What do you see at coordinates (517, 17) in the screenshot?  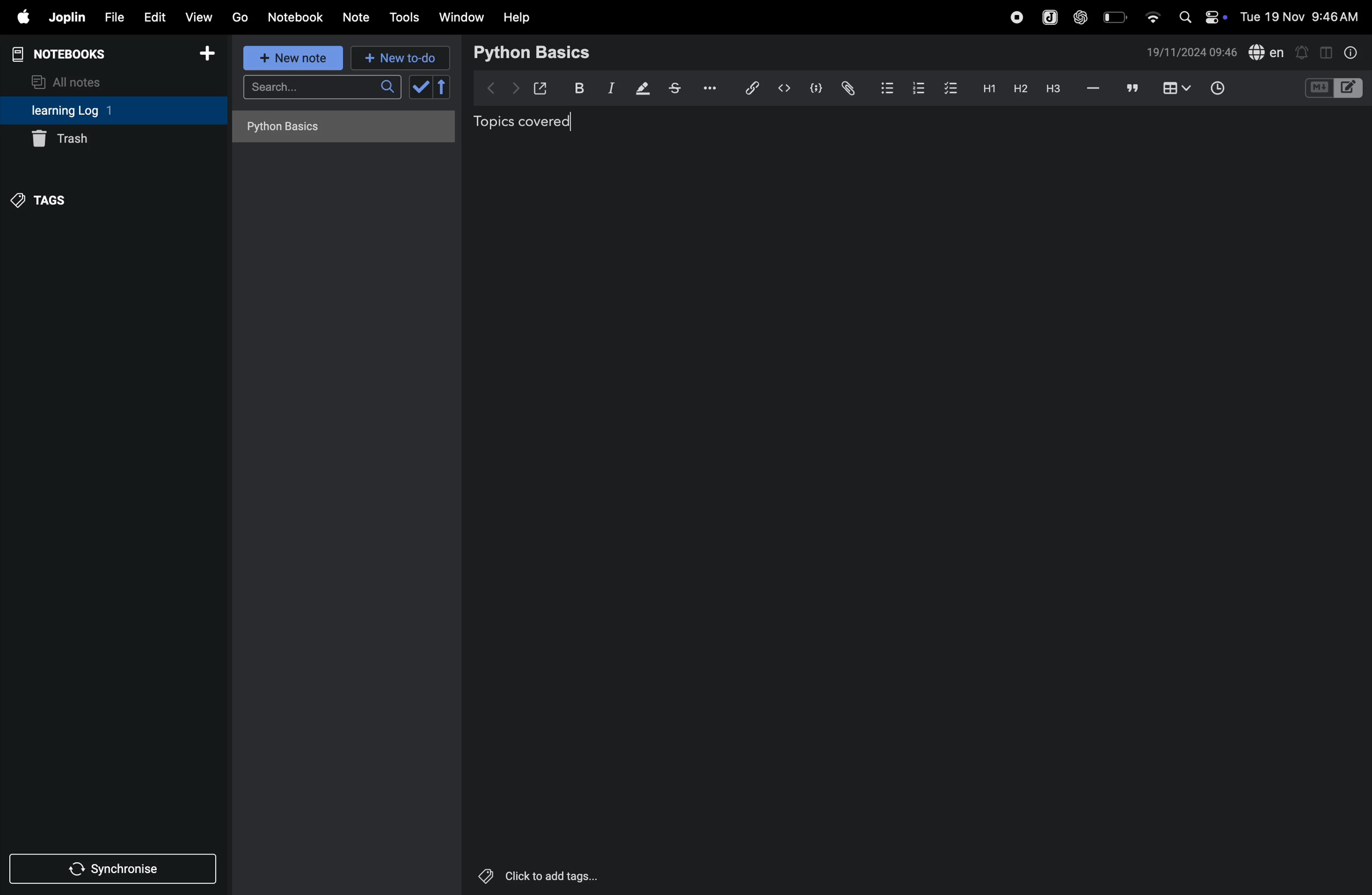 I see `help` at bounding box center [517, 17].